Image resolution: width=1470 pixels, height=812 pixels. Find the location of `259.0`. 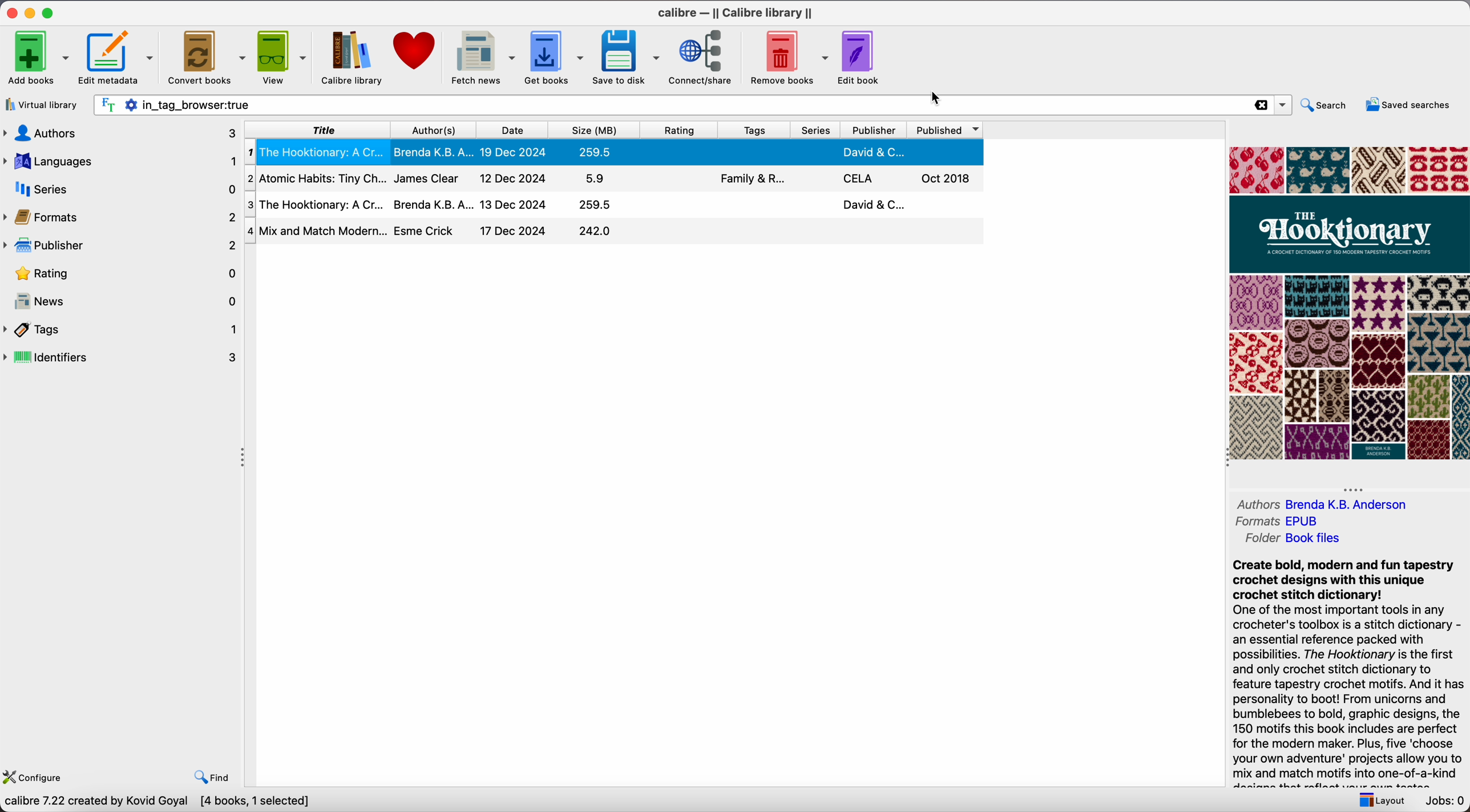

259.0 is located at coordinates (593, 205).